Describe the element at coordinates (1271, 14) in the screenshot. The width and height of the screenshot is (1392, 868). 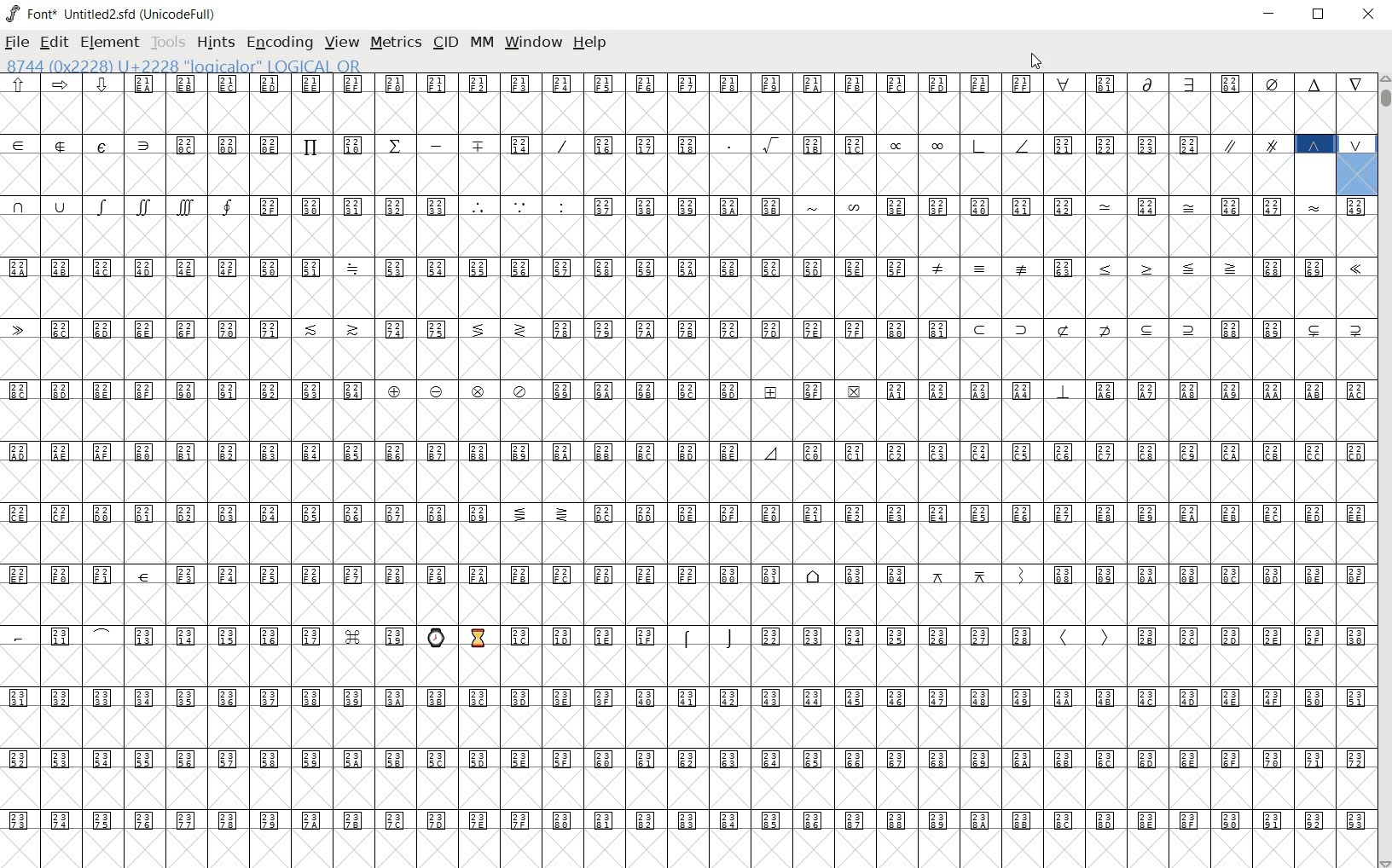
I see `minimize` at that location.